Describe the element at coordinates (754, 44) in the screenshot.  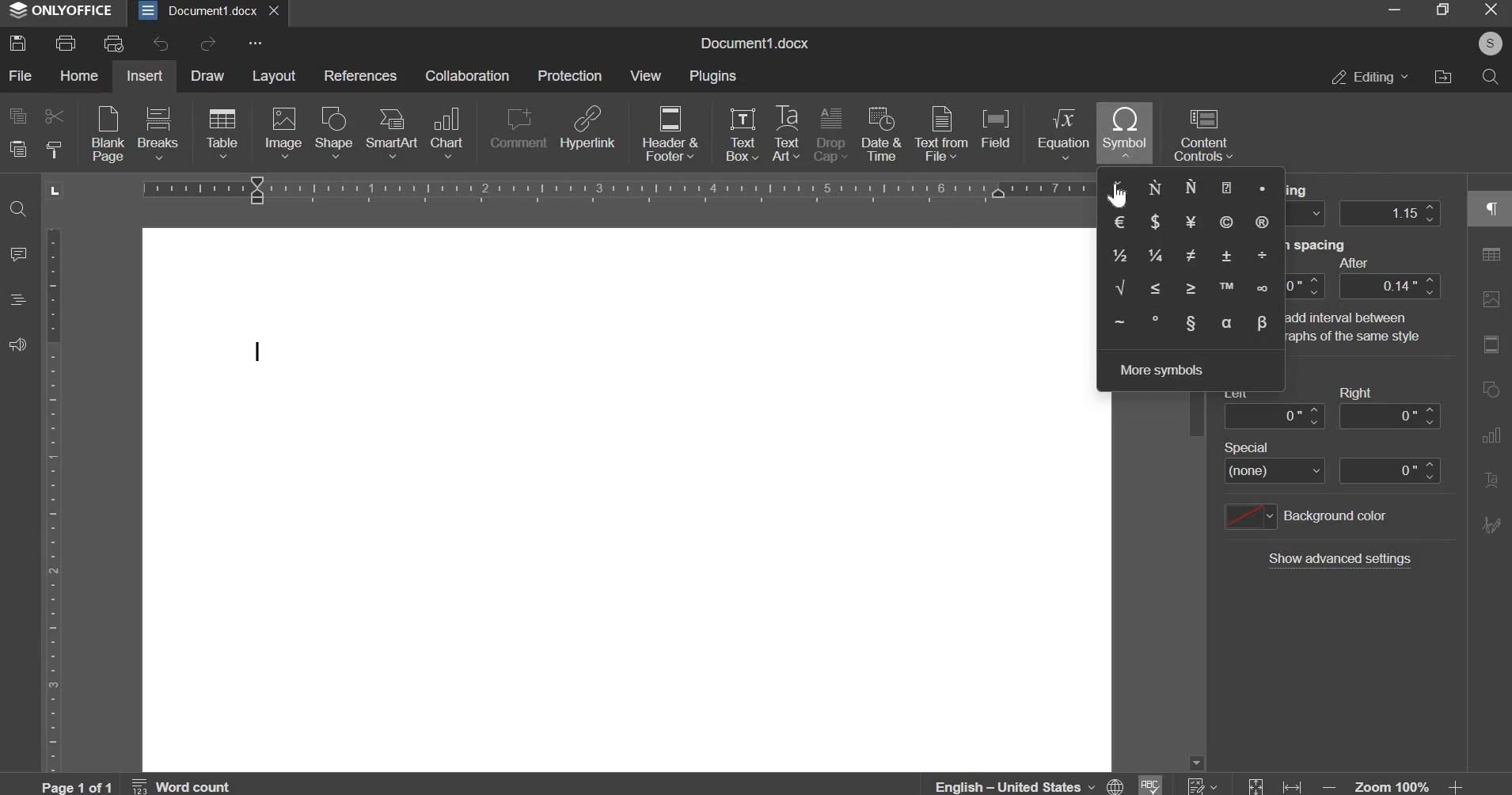
I see `name of document` at that location.